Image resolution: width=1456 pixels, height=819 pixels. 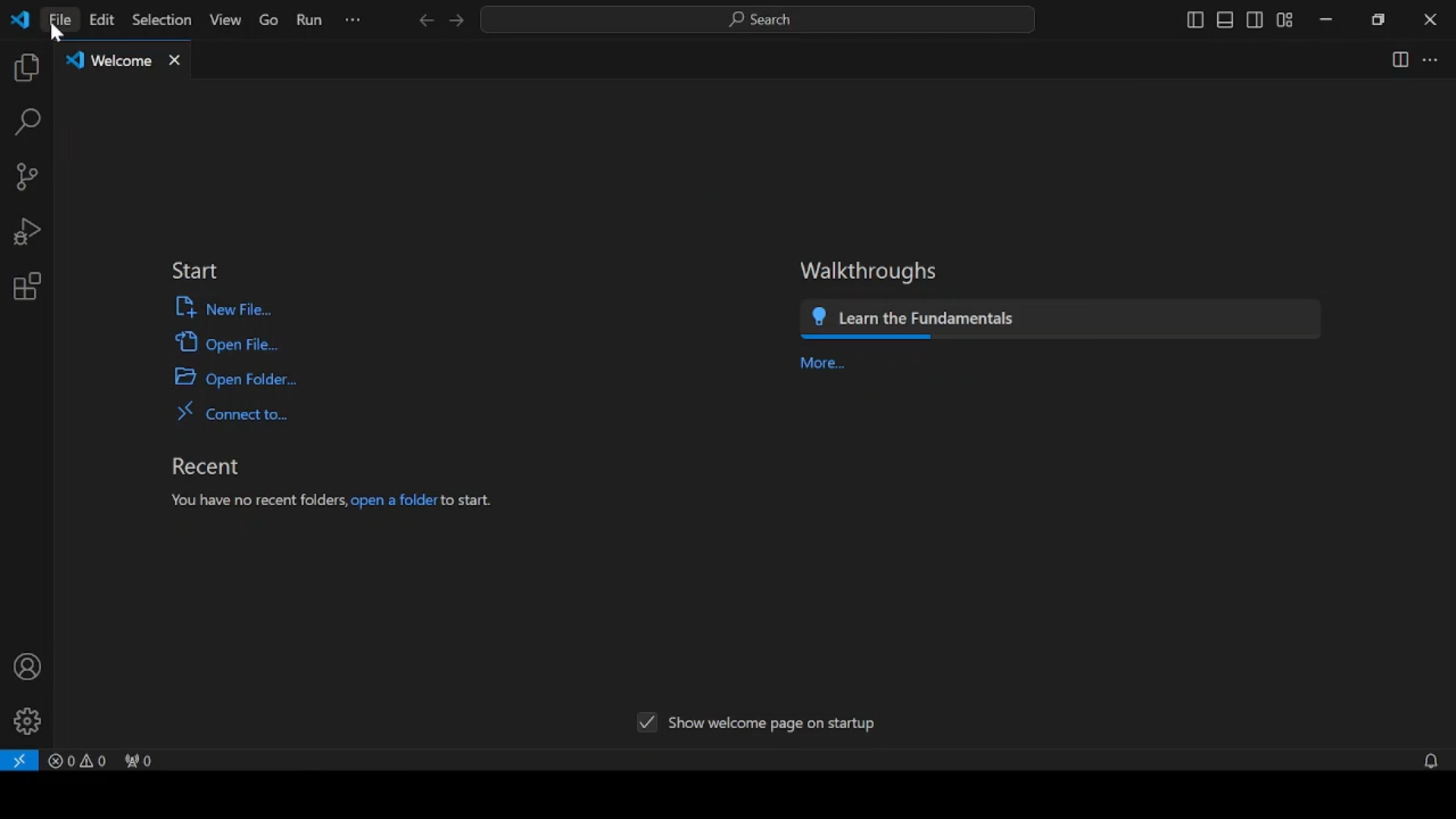 What do you see at coordinates (27, 231) in the screenshot?
I see `run and debug` at bounding box center [27, 231].